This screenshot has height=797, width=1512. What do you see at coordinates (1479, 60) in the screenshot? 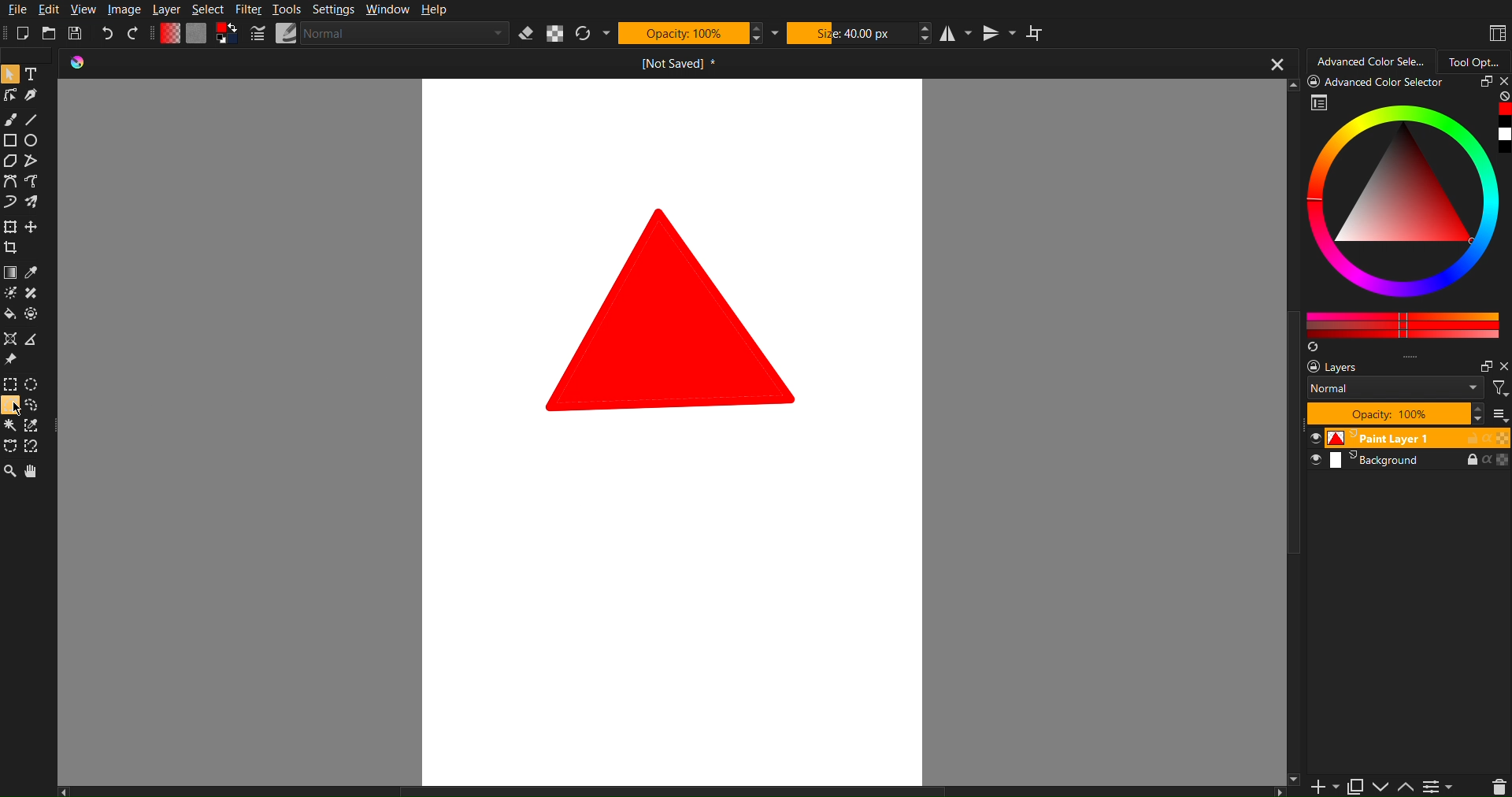
I see `Tool Options` at bounding box center [1479, 60].